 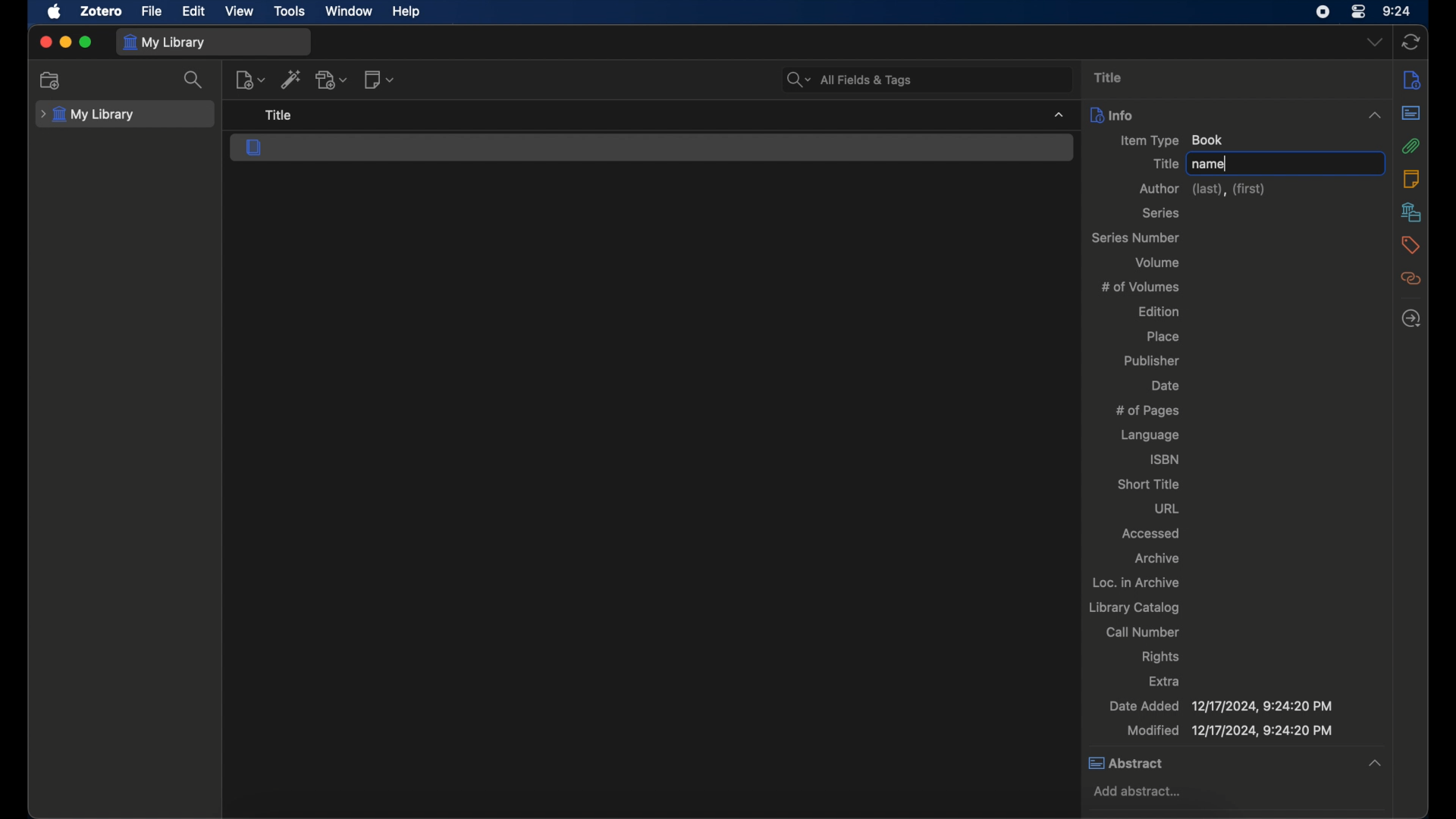 I want to click on search, so click(x=195, y=80).